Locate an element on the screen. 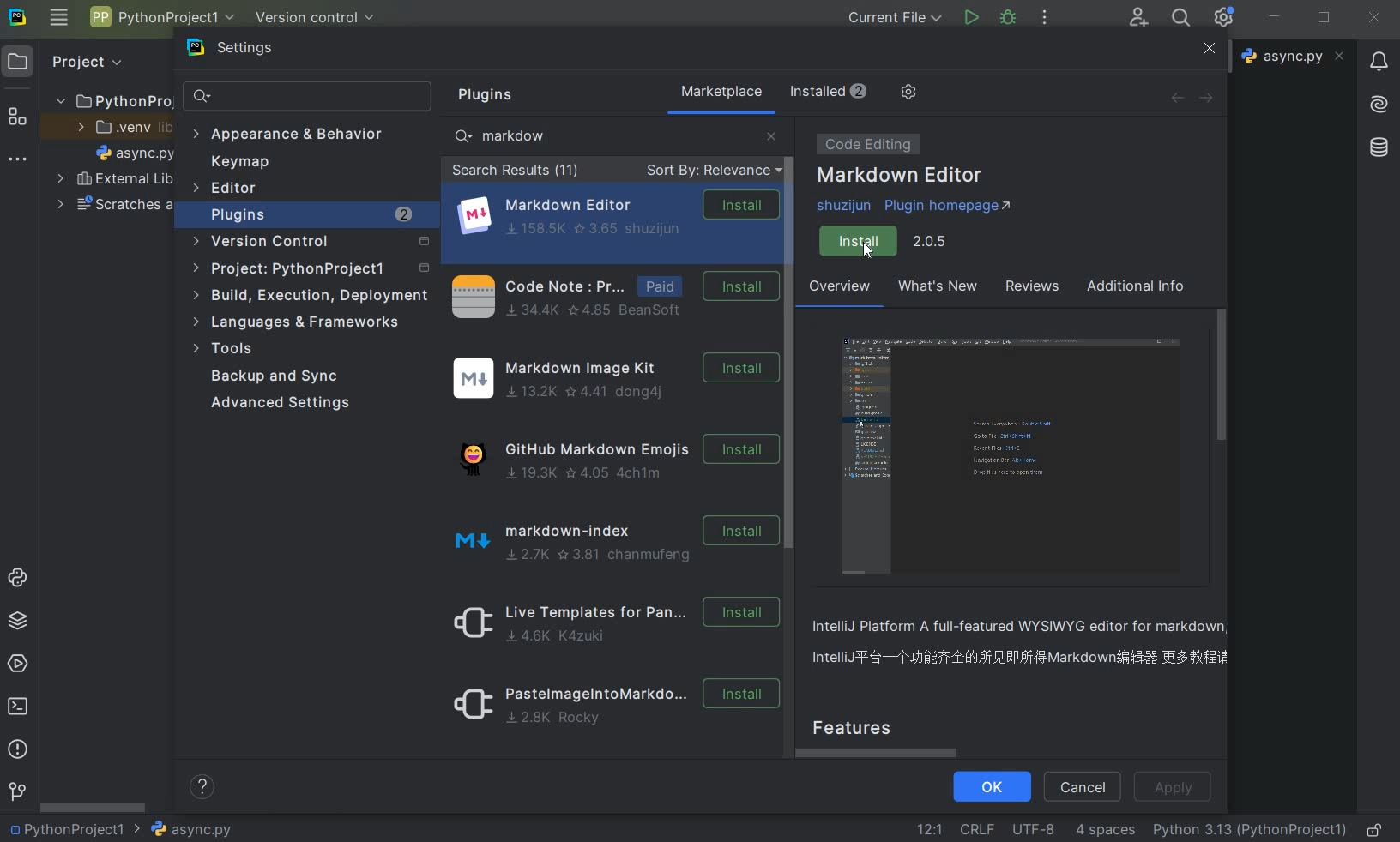 The width and height of the screenshot is (1400, 842). minimize is located at coordinates (1276, 18).